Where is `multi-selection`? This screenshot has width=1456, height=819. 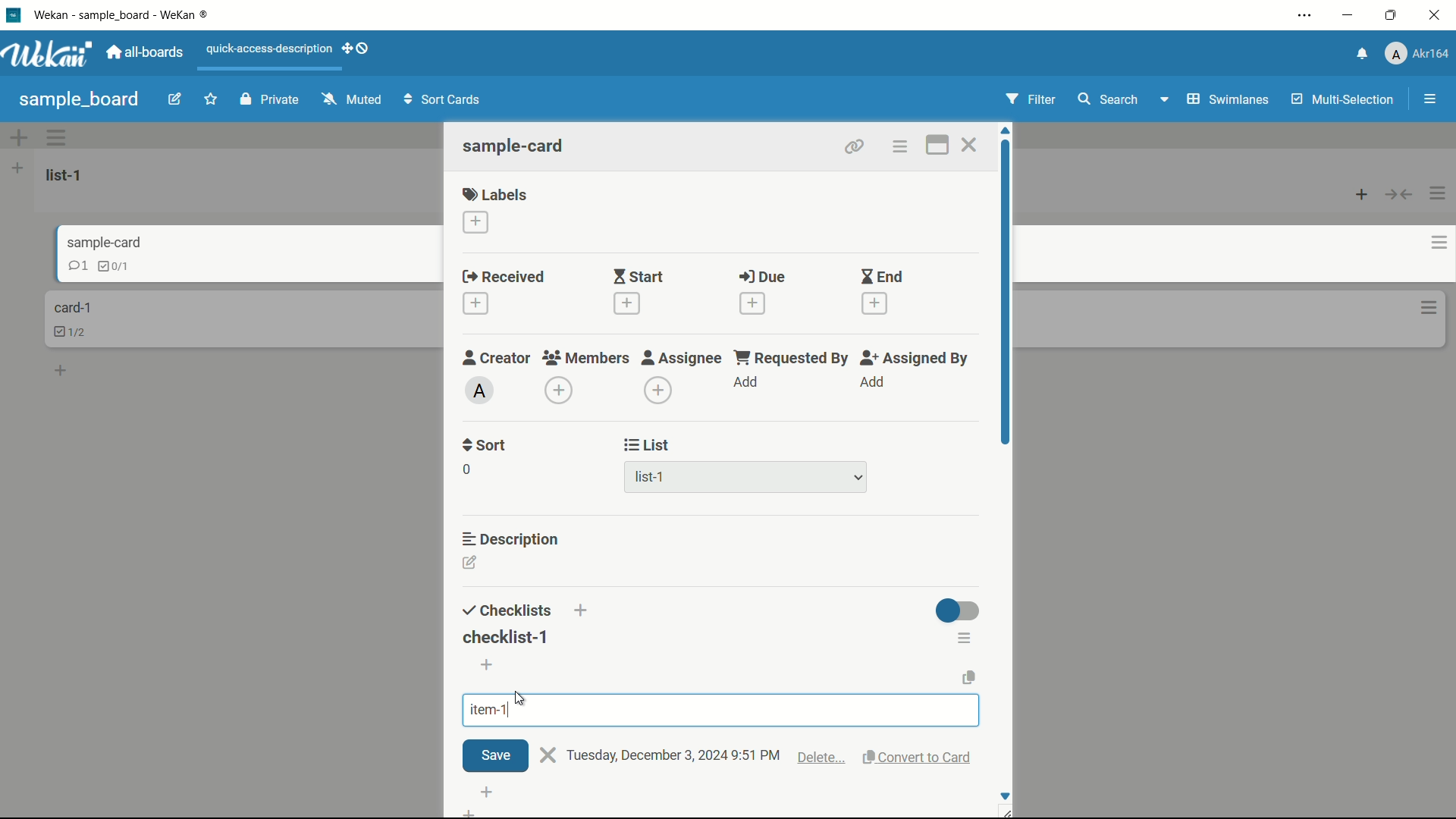
multi-selection is located at coordinates (1343, 99).